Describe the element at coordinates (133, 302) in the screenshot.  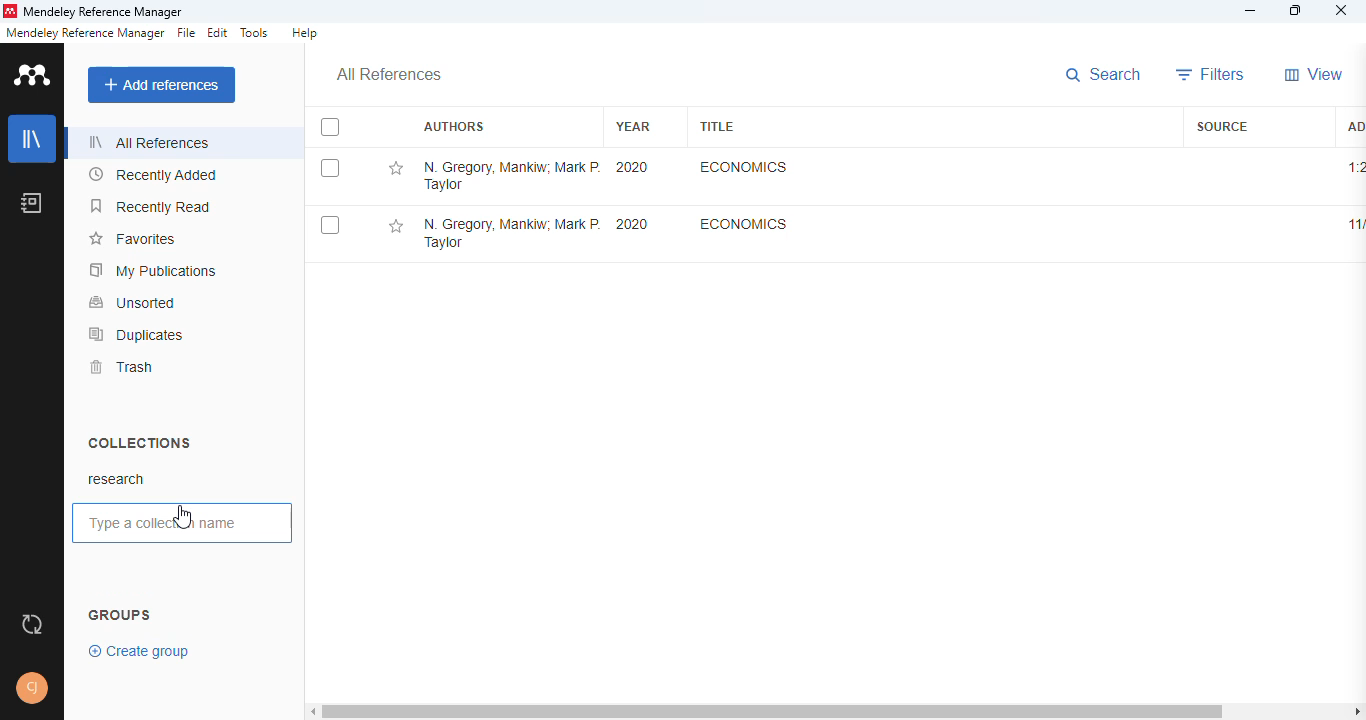
I see `unsorted` at that location.